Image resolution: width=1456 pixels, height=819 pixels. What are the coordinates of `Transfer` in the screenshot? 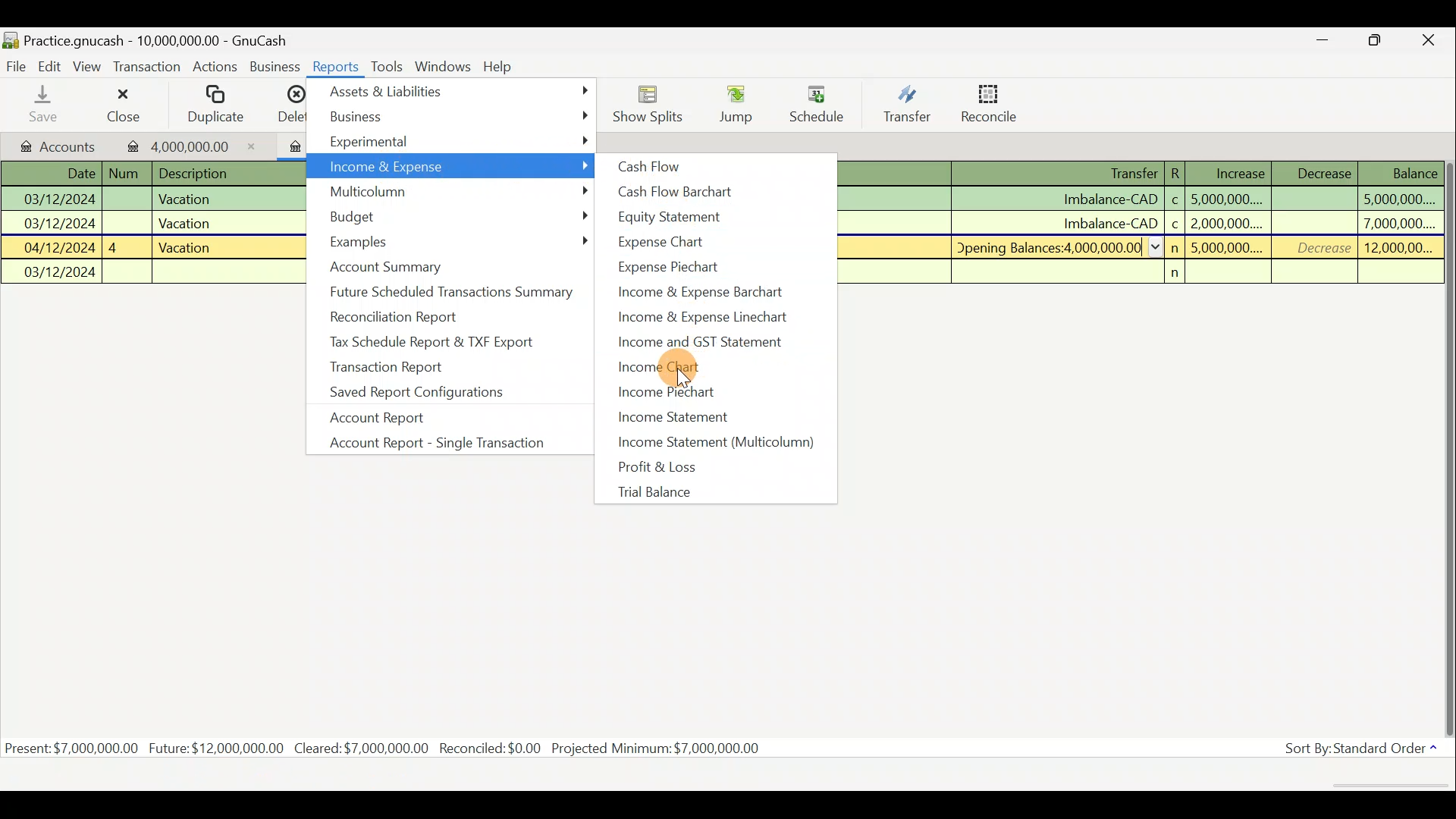 It's located at (1134, 173).